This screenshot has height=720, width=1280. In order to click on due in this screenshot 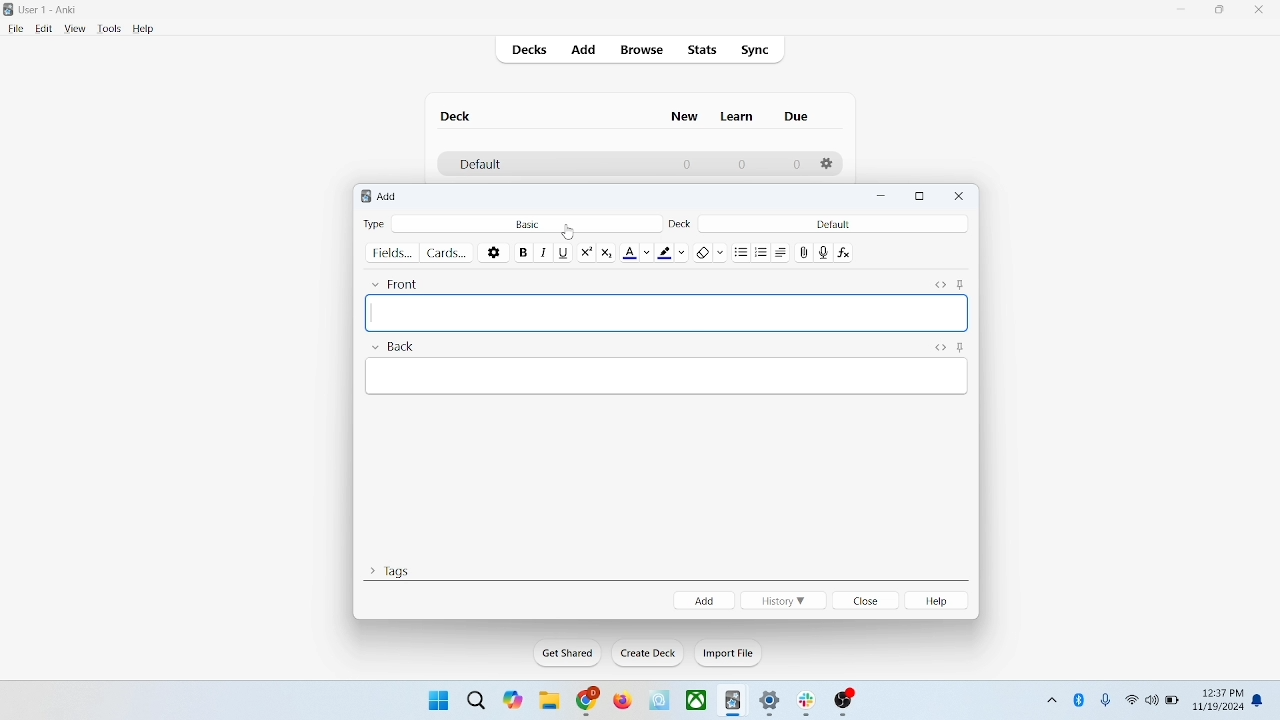, I will do `click(798, 117)`.